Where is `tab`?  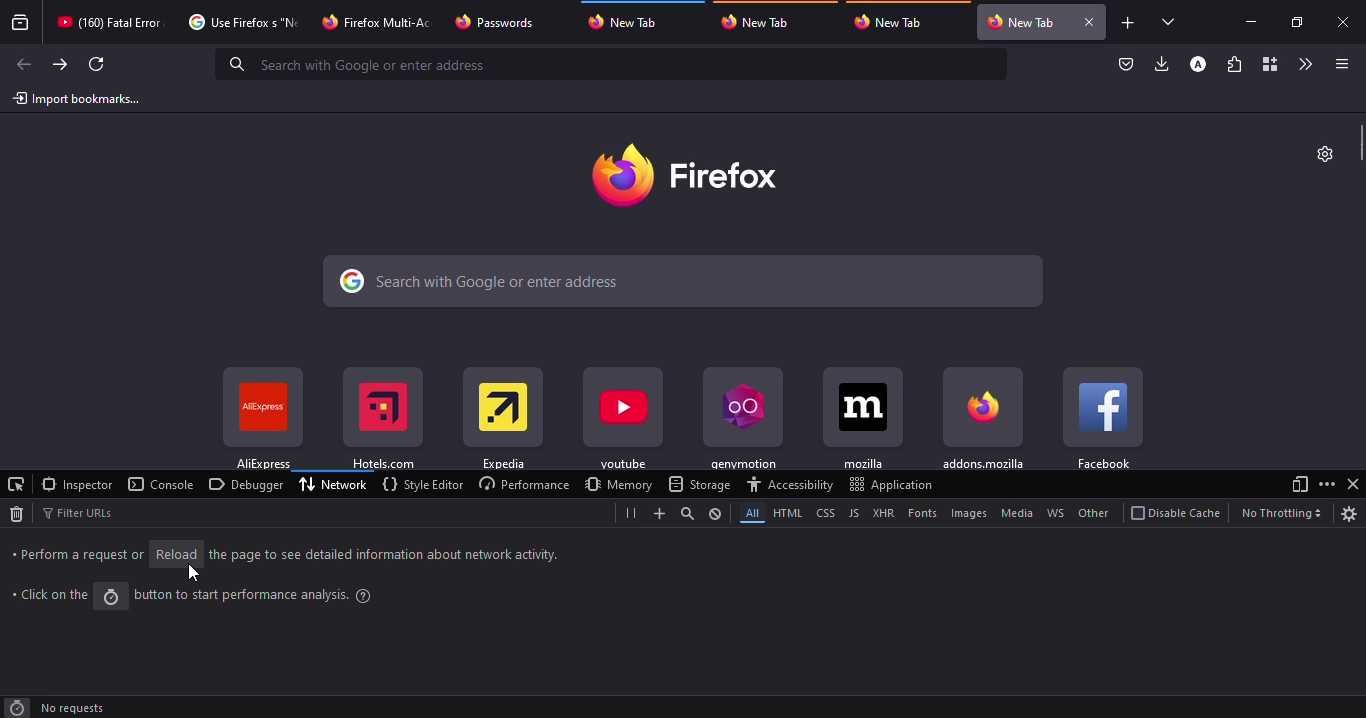 tab is located at coordinates (765, 22).